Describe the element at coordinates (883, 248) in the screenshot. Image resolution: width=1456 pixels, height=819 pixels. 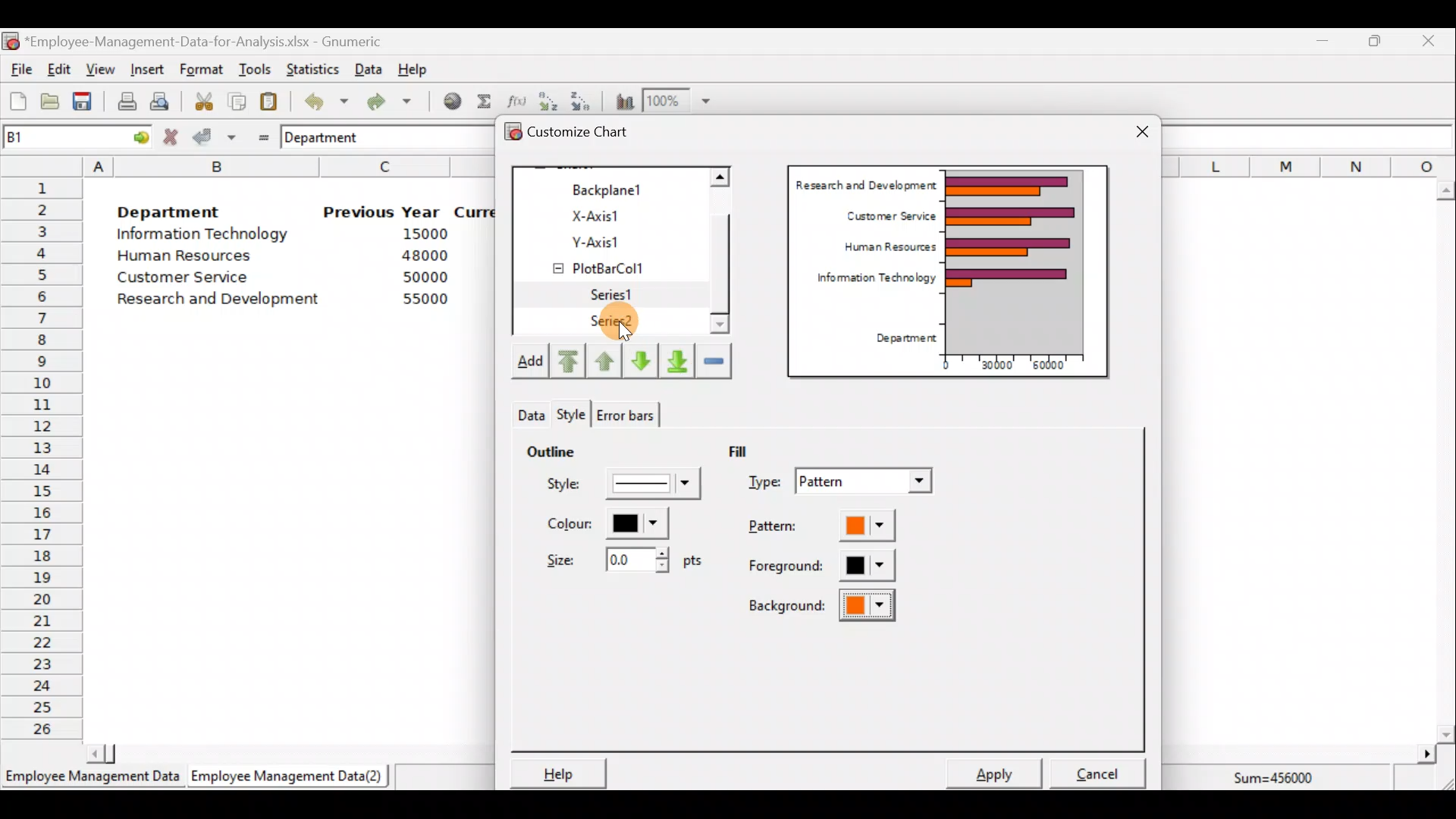
I see `Human Resources` at that location.